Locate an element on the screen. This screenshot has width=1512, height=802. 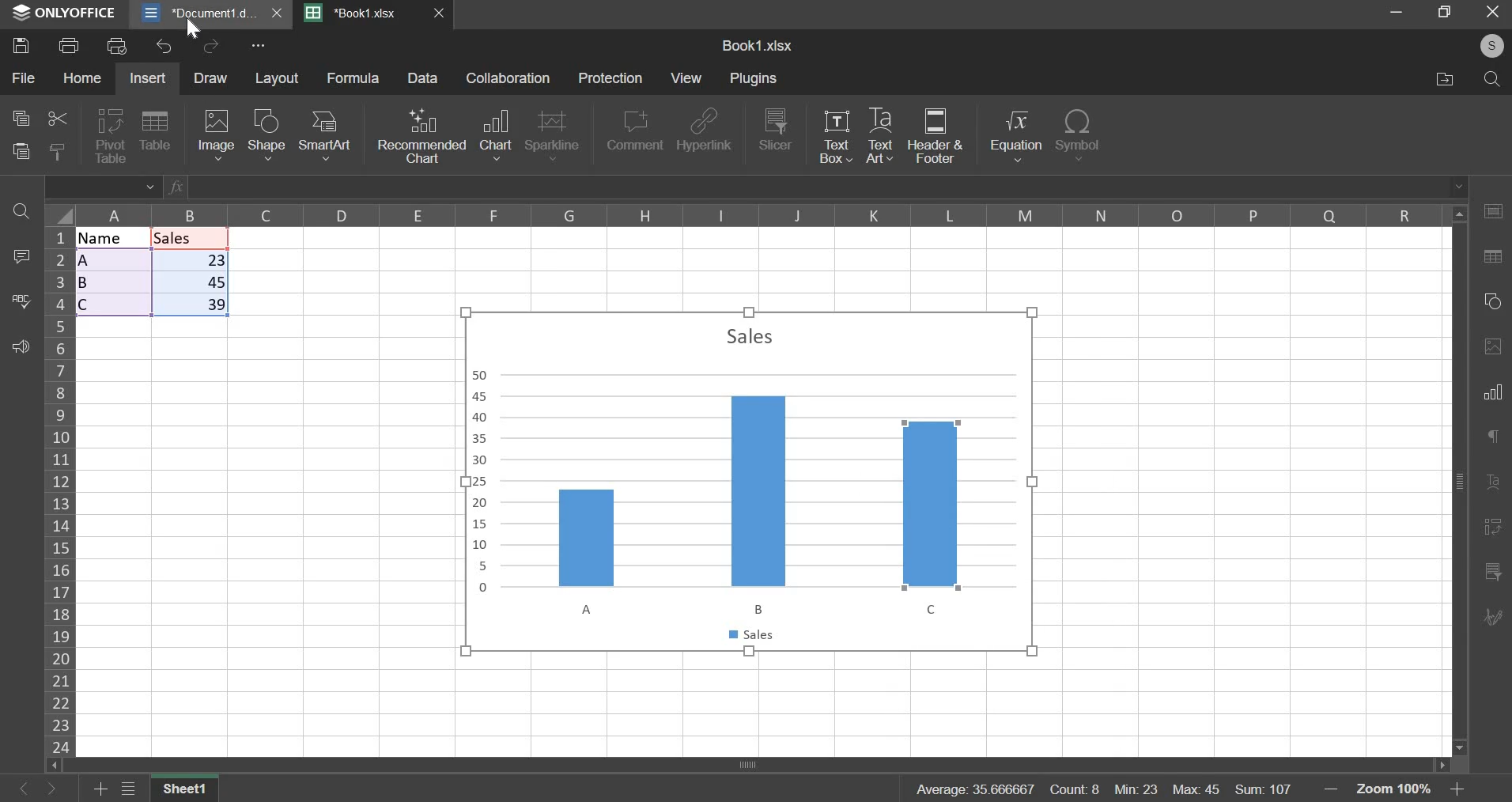
insert is located at coordinates (149, 78).